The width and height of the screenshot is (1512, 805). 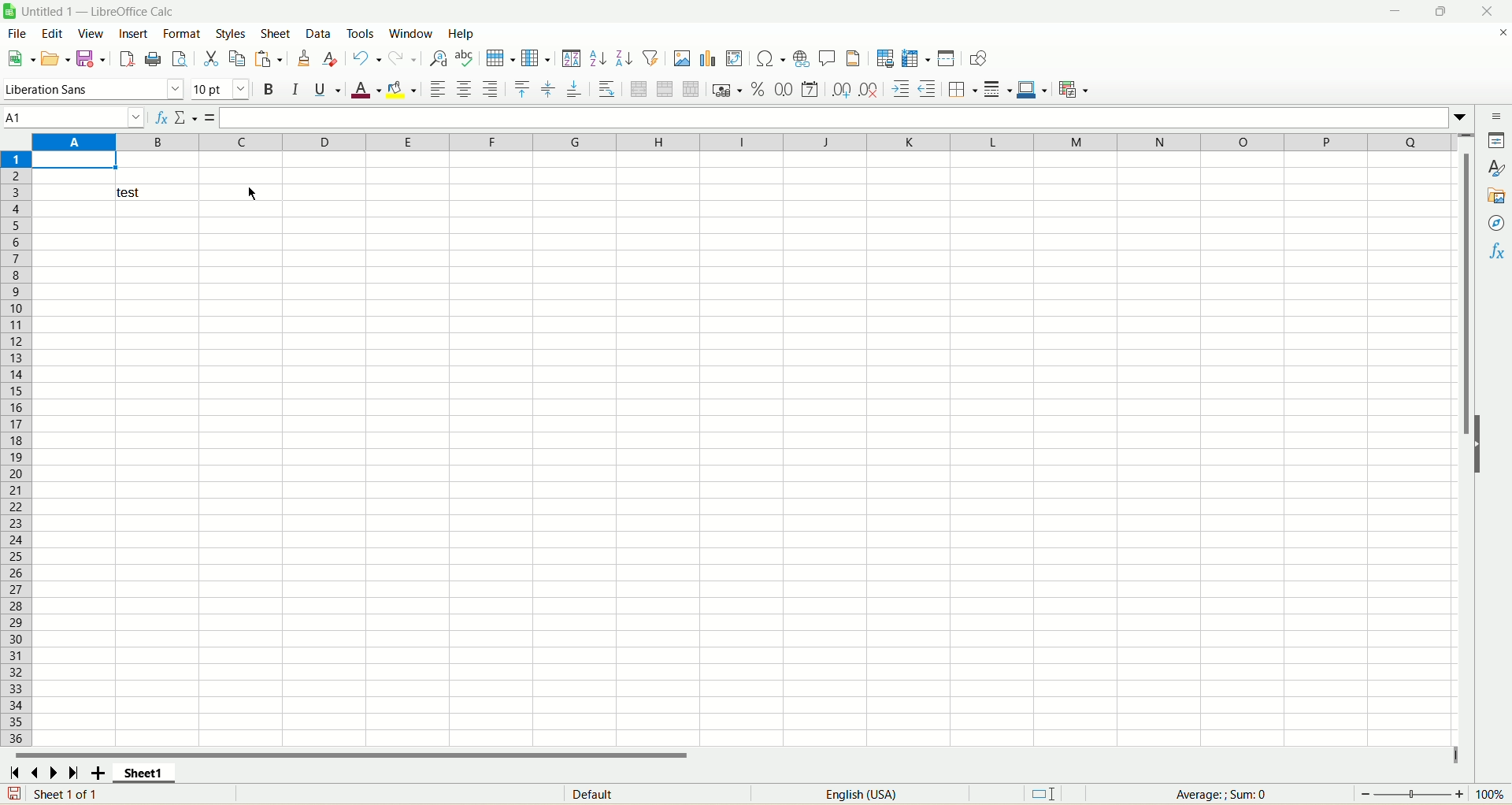 What do you see at coordinates (97, 11) in the screenshot?
I see `Untitled 1 — LibreOffice Calc` at bounding box center [97, 11].